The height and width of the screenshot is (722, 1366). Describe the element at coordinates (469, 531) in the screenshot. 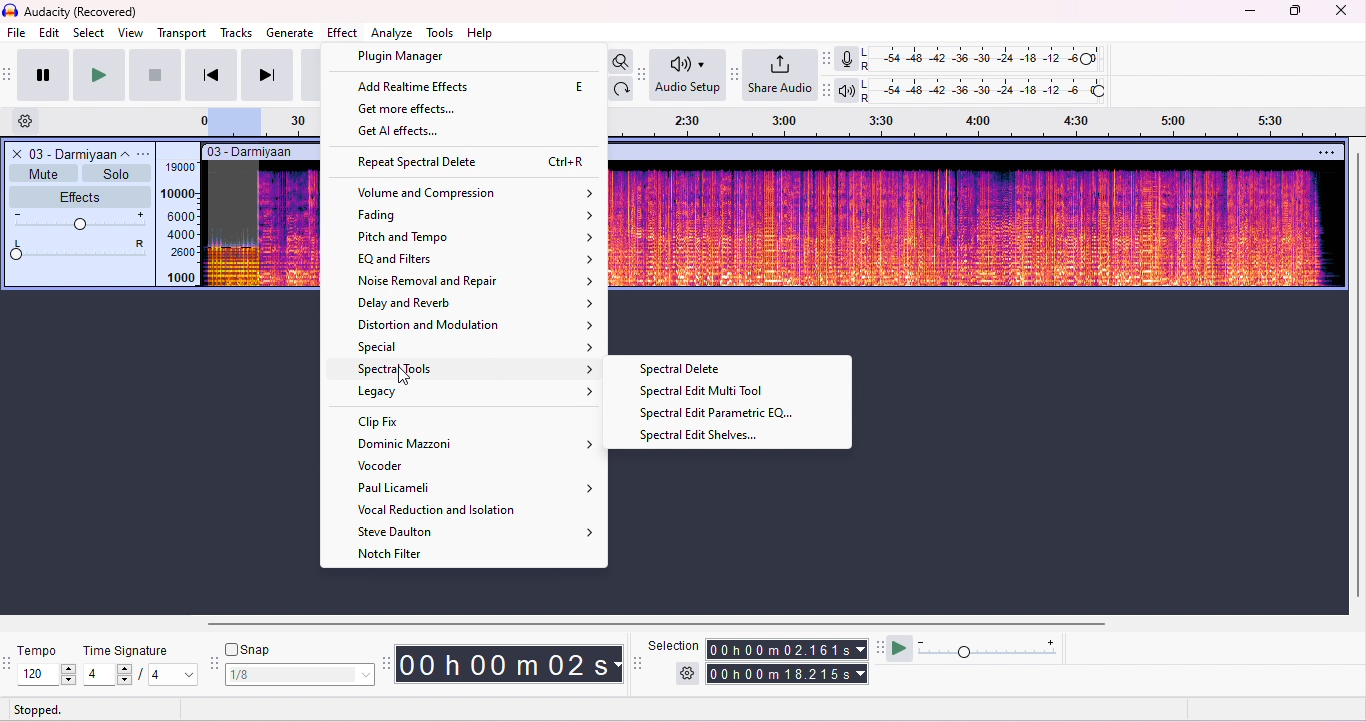

I see `steve daulton` at that location.